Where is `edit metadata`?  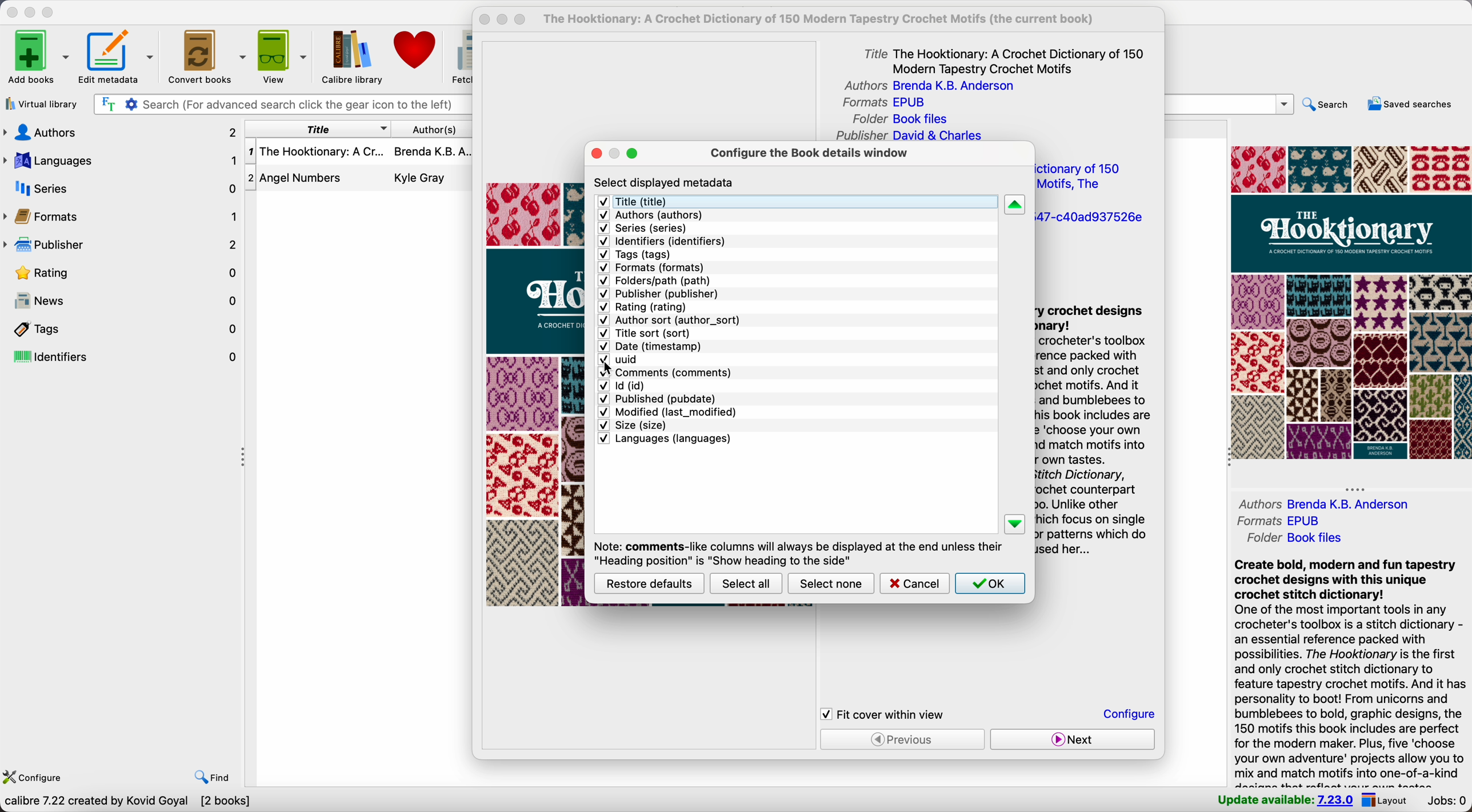 edit metadata is located at coordinates (118, 58).